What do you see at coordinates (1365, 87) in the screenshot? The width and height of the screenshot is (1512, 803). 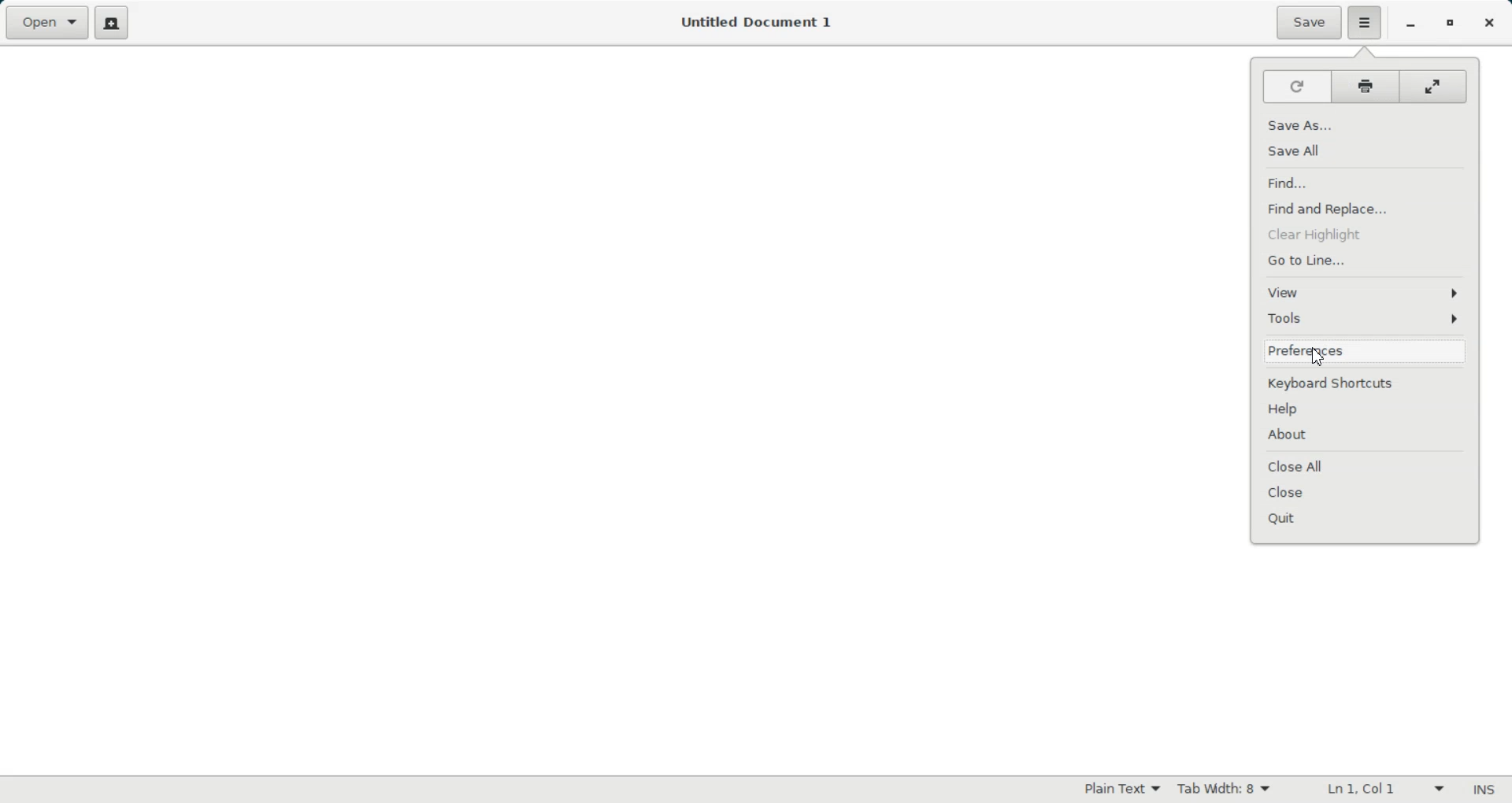 I see `Print` at bounding box center [1365, 87].